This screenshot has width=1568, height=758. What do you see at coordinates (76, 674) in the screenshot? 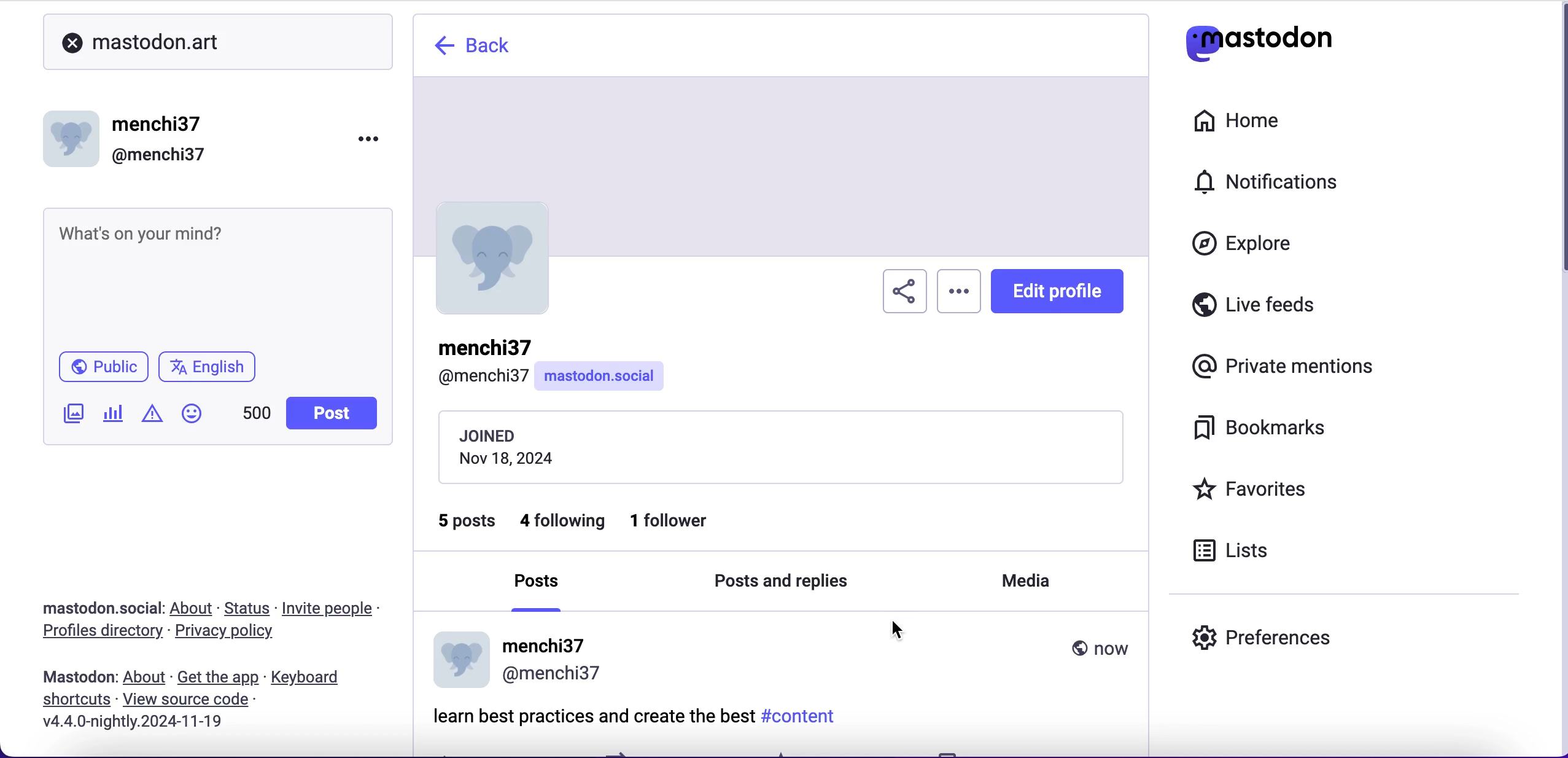
I see `post published` at bounding box center [76, 674].